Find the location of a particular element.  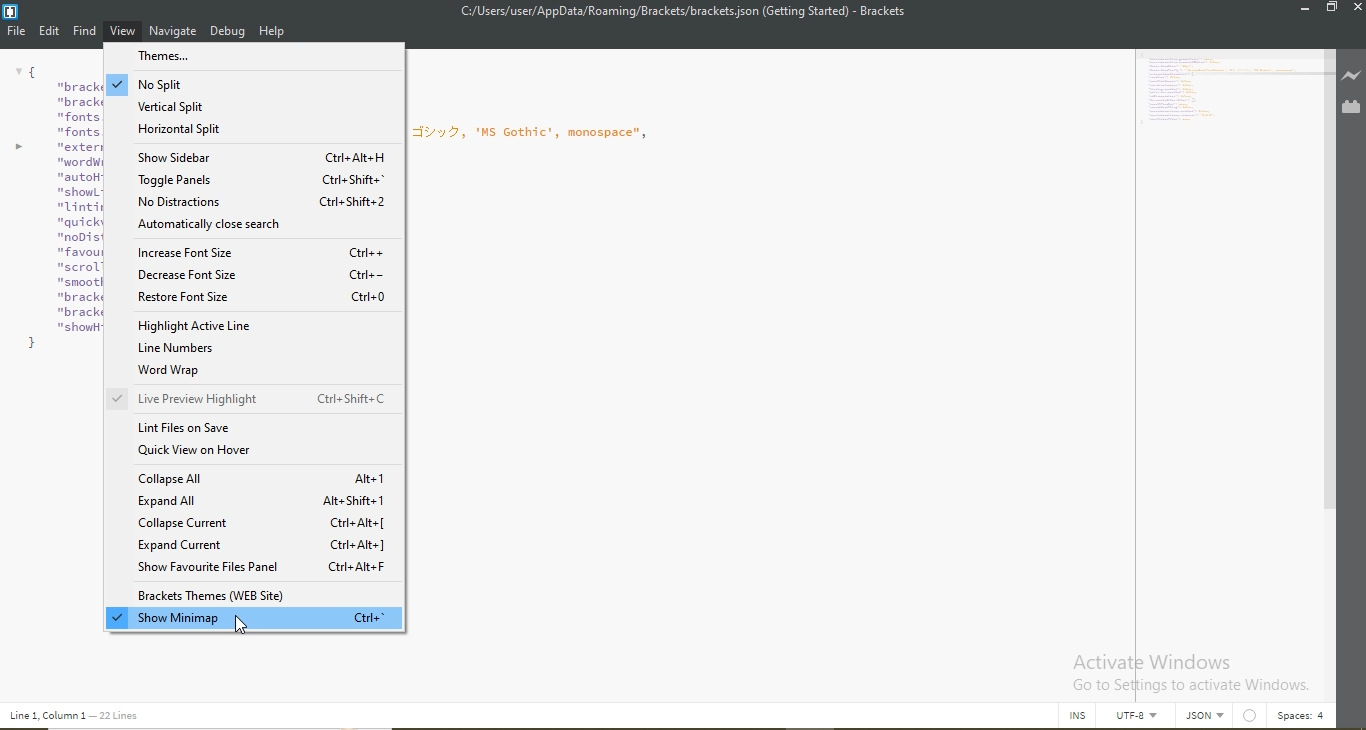

scroll bar is located at coordinates (1330, 325).